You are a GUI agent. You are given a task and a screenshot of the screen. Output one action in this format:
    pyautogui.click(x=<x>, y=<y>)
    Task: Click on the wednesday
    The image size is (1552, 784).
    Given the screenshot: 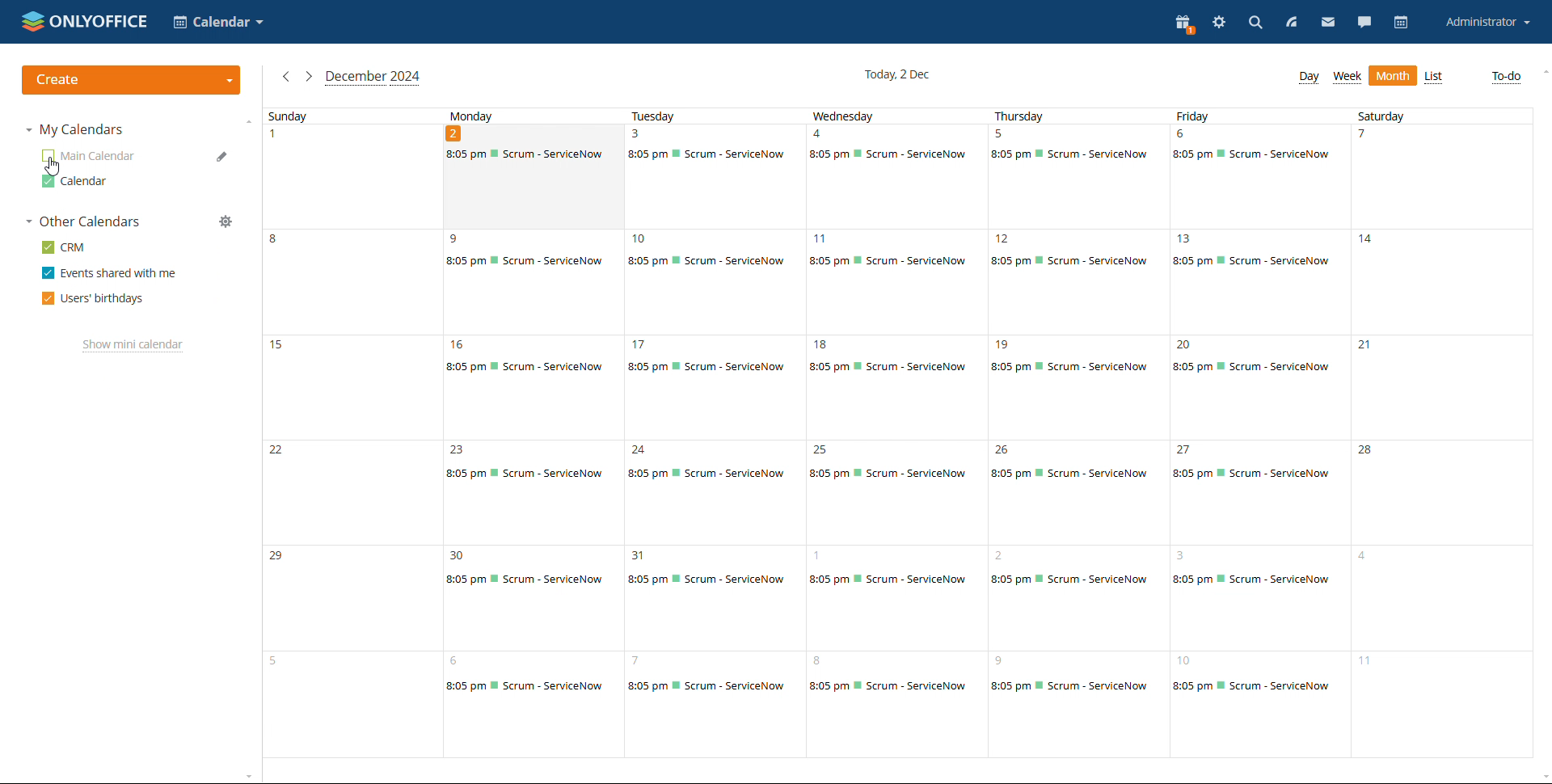 What is the action you would take?
    pyautogui.click(x=897, y=432)
    